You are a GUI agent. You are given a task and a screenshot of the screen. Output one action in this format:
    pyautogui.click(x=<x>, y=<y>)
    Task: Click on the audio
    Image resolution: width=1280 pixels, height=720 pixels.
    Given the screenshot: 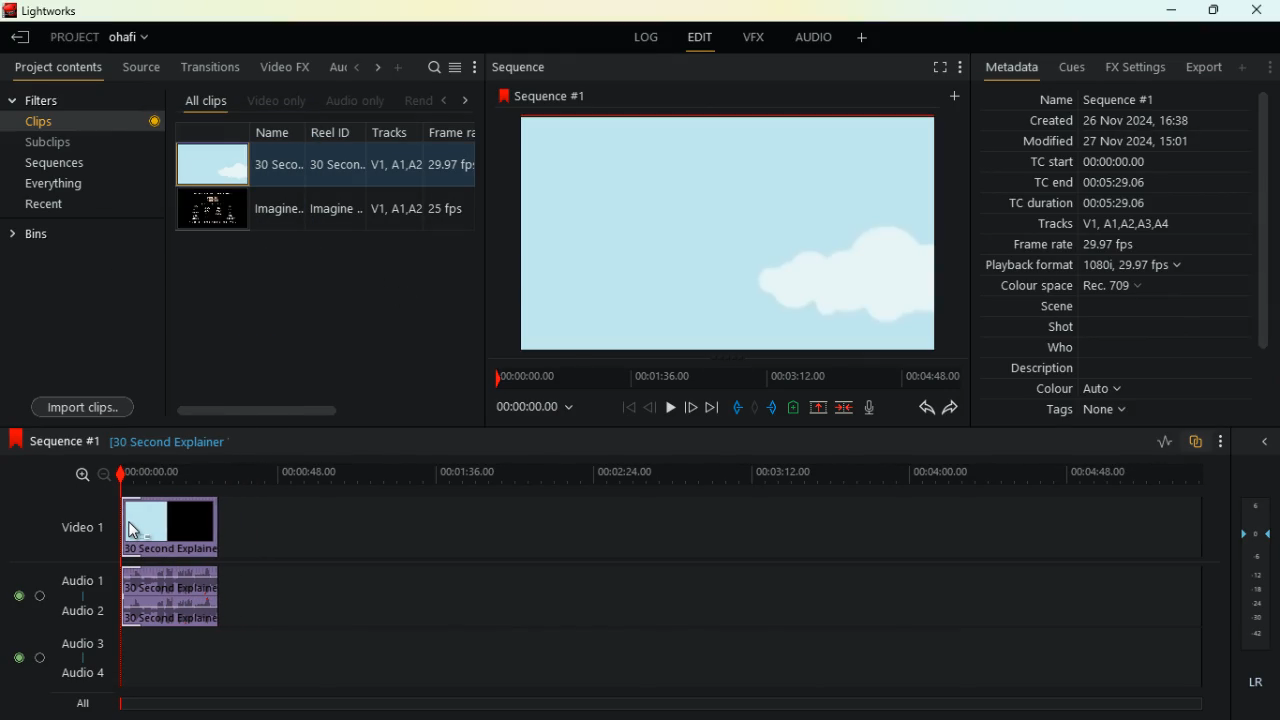 What is the action you would take?
    pyautogui.click(x=808, y=37)
    